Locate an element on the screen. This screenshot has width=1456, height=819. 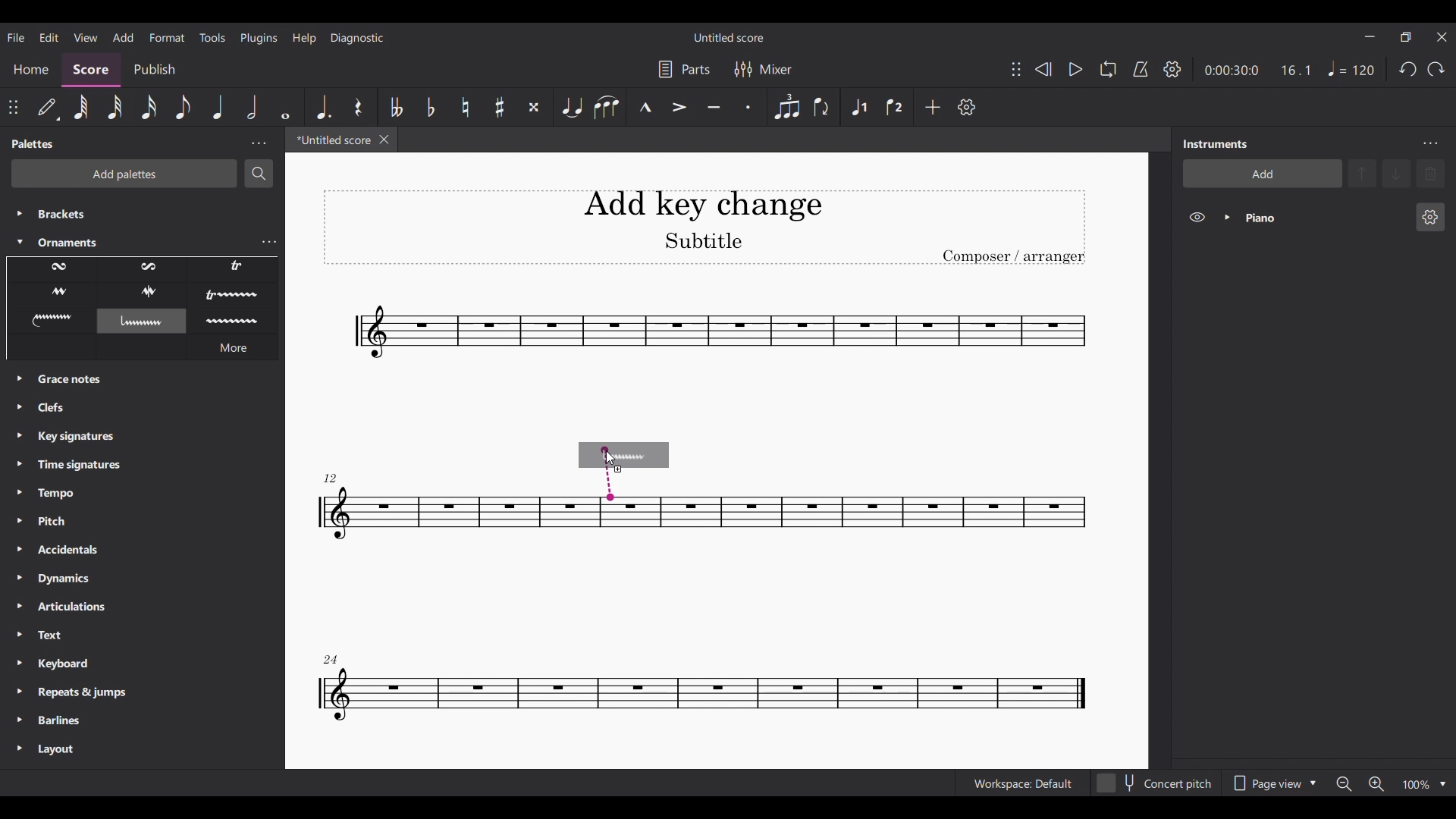
Change position of toolbar is located at coordinates (13, 108).